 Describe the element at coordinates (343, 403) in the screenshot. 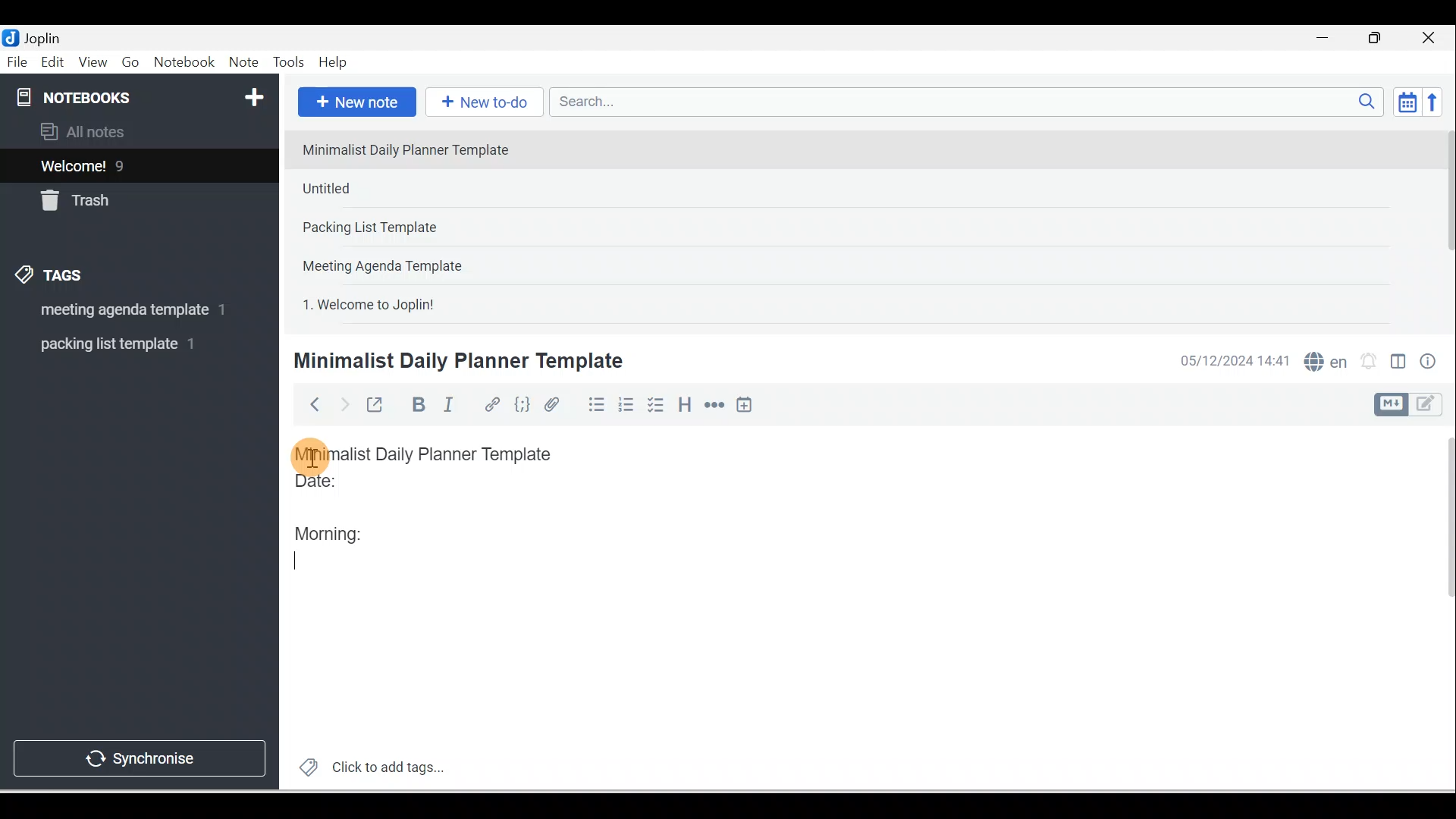

I see `Forward` at that location.